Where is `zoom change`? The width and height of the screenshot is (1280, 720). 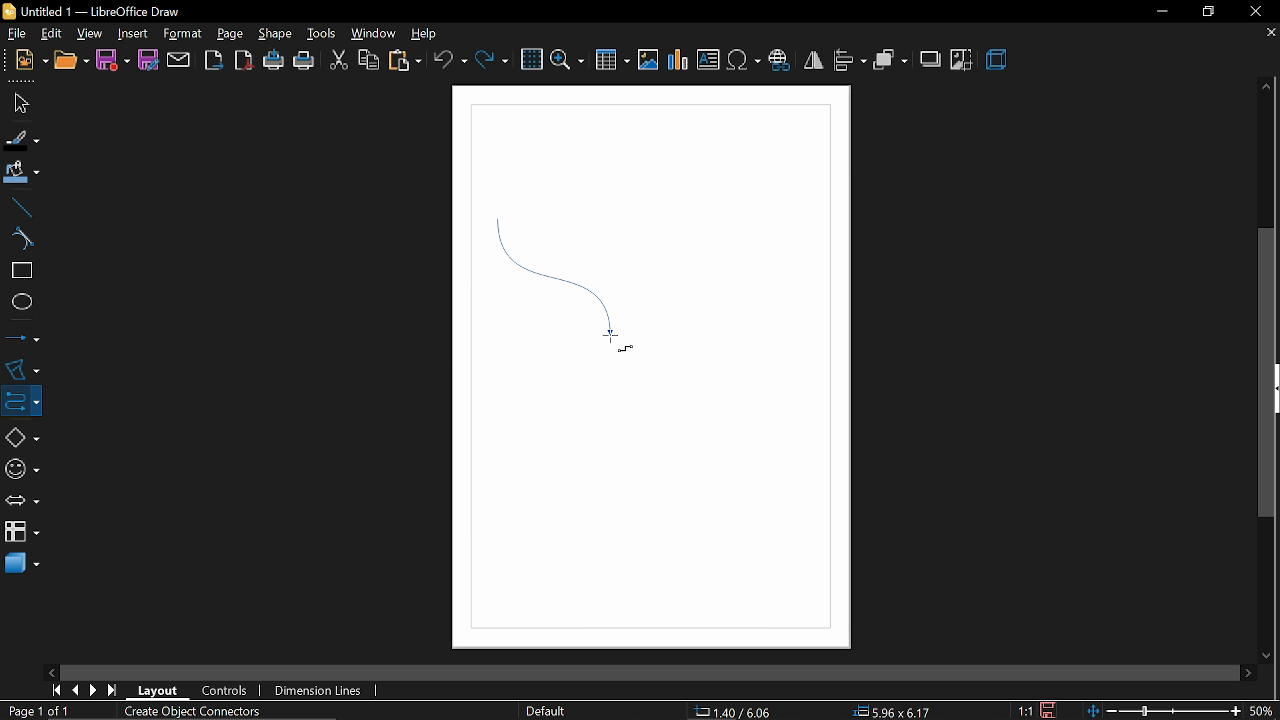 zoom change is located at coordinates (1166, 712).